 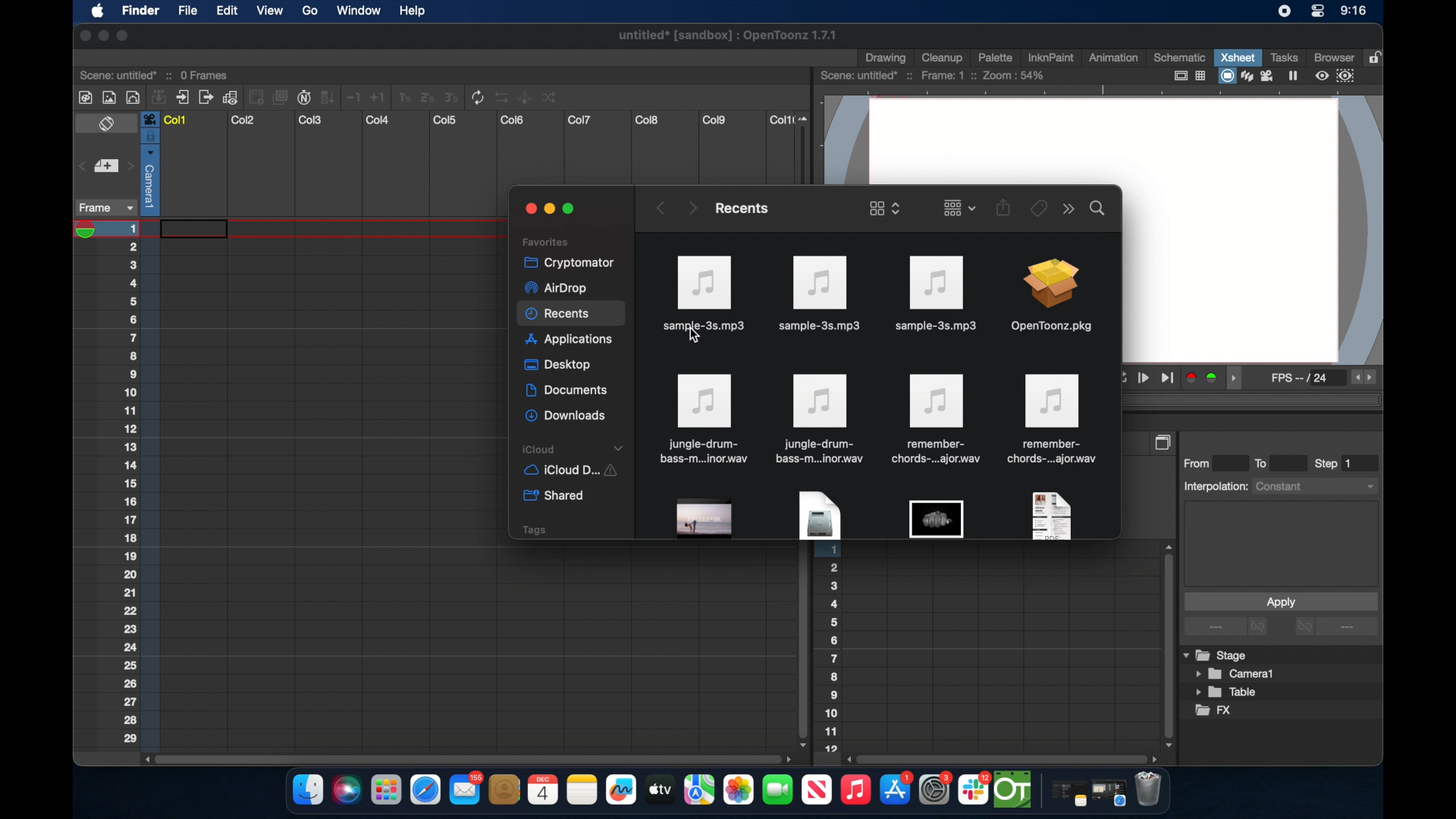 I want to click on scroll box, so click(x=466, y=758).